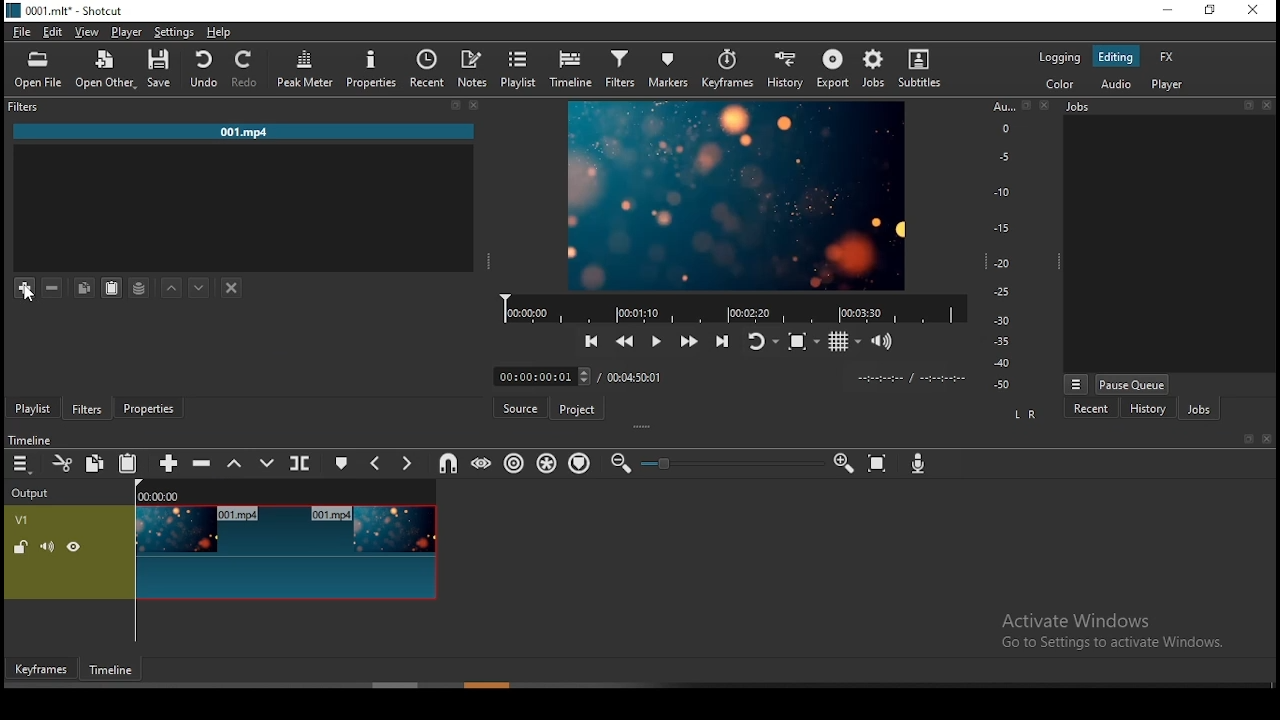 This screenshot has height=720, width=1280. I want to click on lift, so click(237, 465).